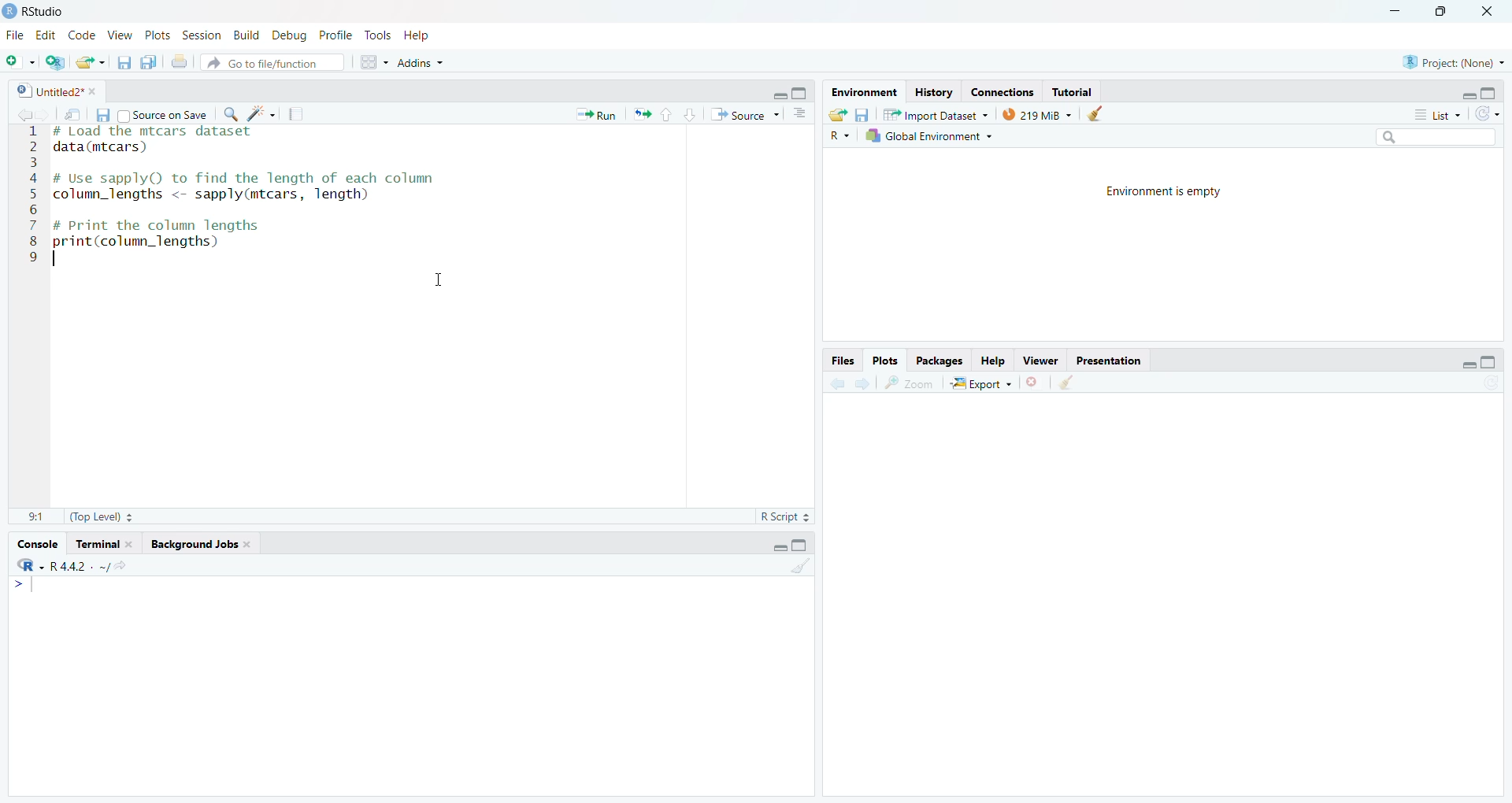 This screenshot has width=1512, height=803. What do you see at coordinates (1437, 138) in the screenshot?
I see `Search` at bounding box center [1437, 138].